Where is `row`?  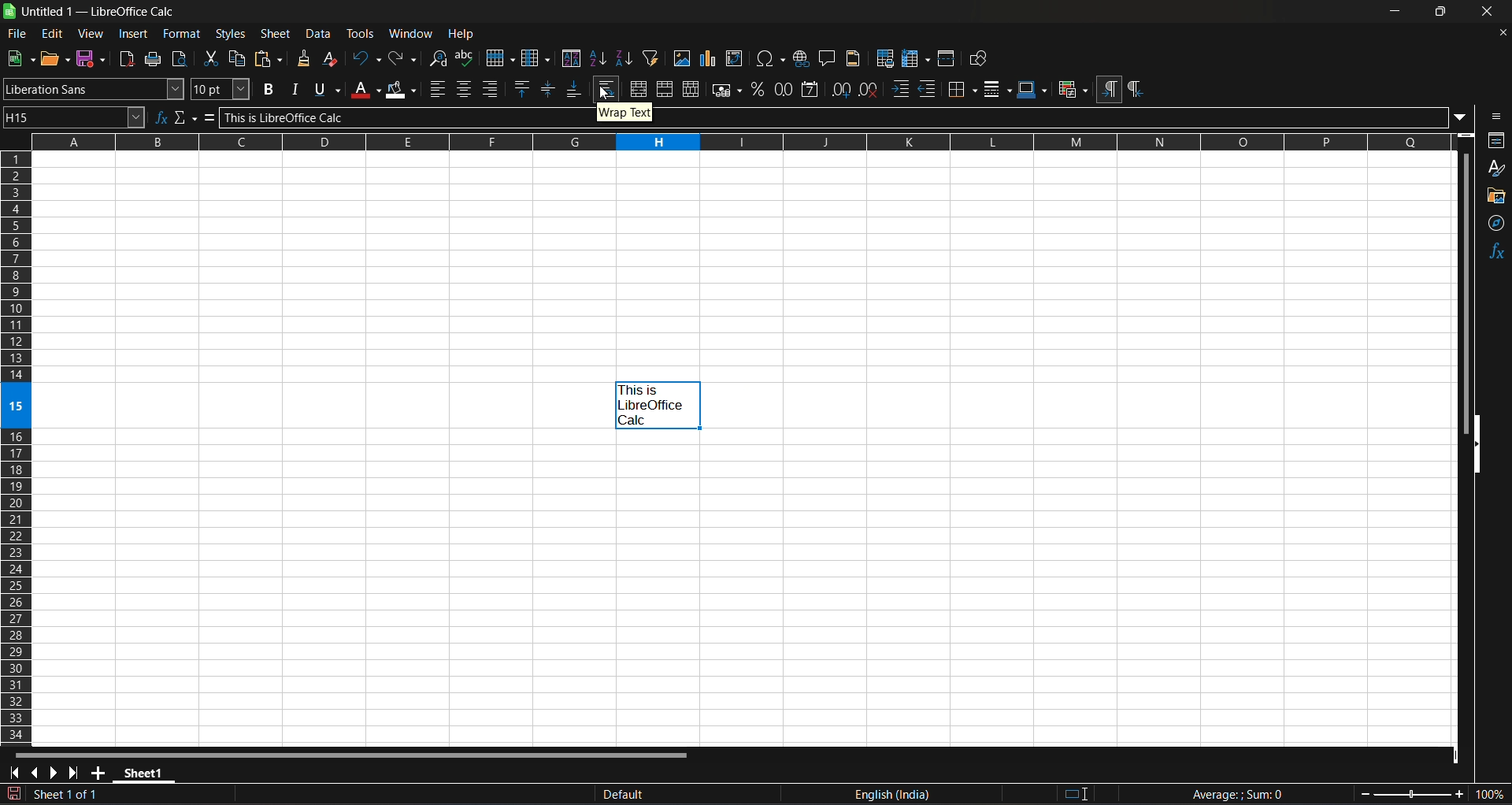
row is located at coordinates (499, 57).